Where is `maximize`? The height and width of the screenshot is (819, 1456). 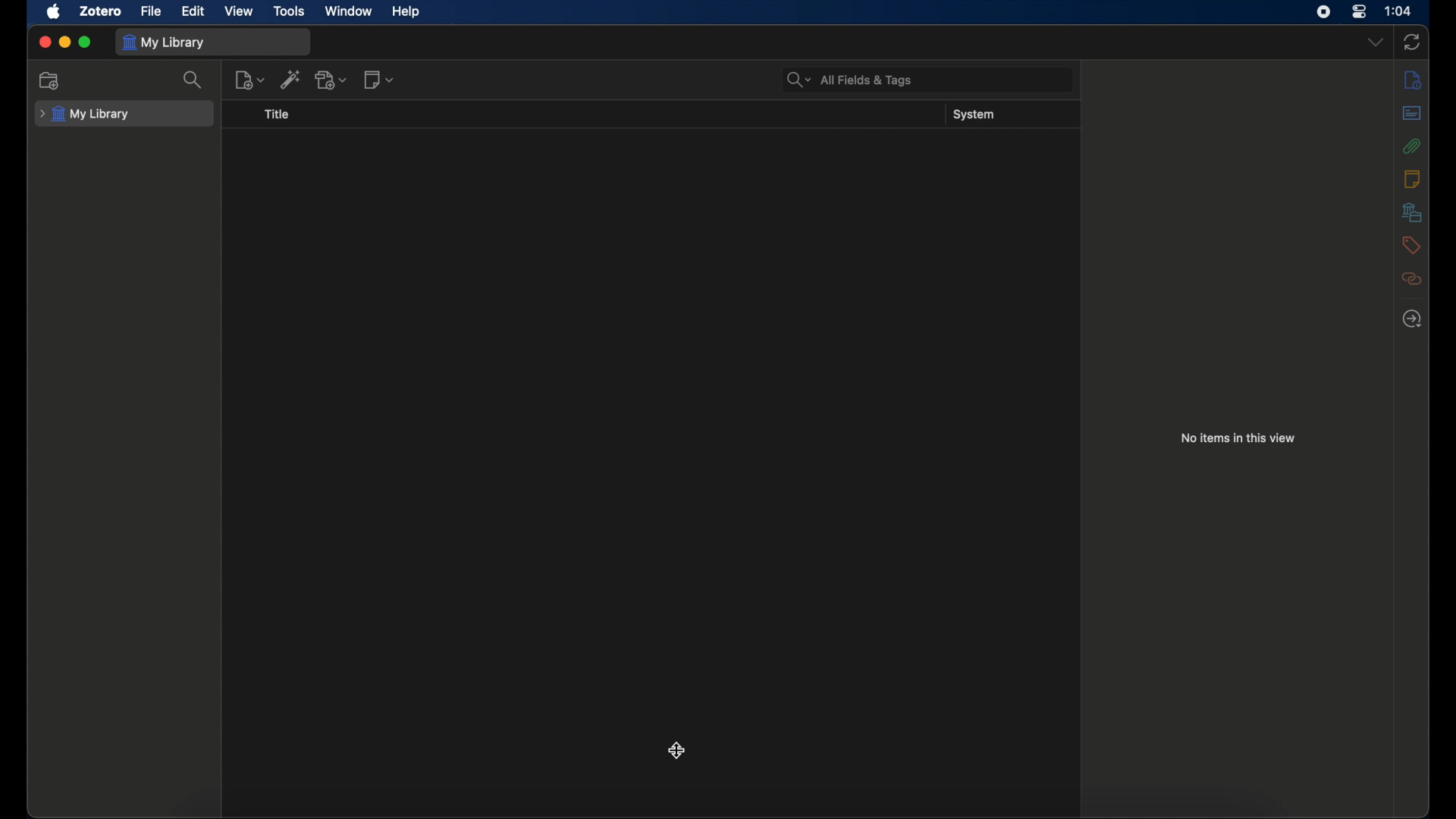 maximize is located at coordinates (85, 42).